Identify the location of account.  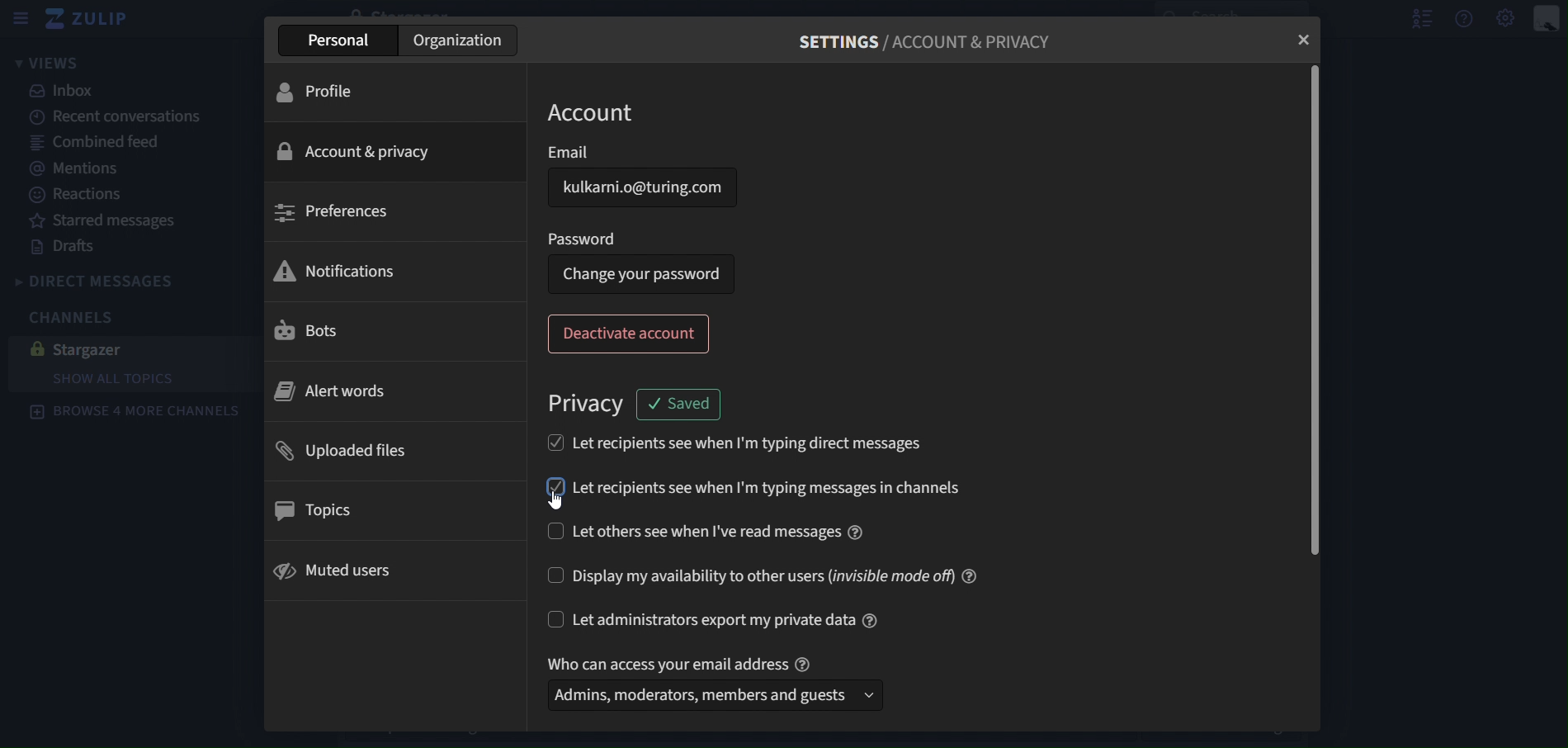
(592, 113).